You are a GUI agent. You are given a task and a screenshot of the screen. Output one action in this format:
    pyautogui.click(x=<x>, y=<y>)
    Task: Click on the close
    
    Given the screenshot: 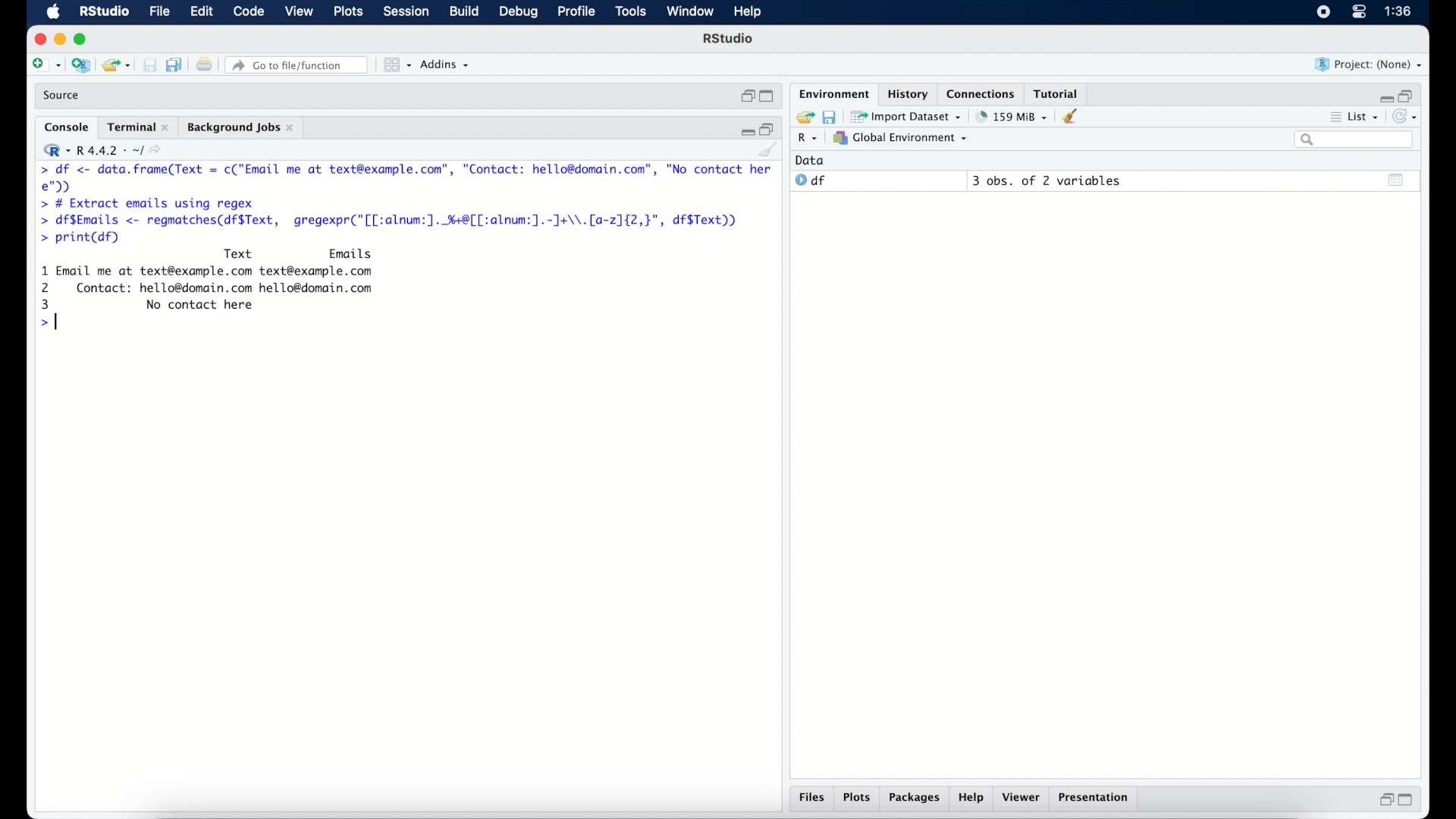 What is the action you would take?
    pyautogui.click(x=37, y=37)
    